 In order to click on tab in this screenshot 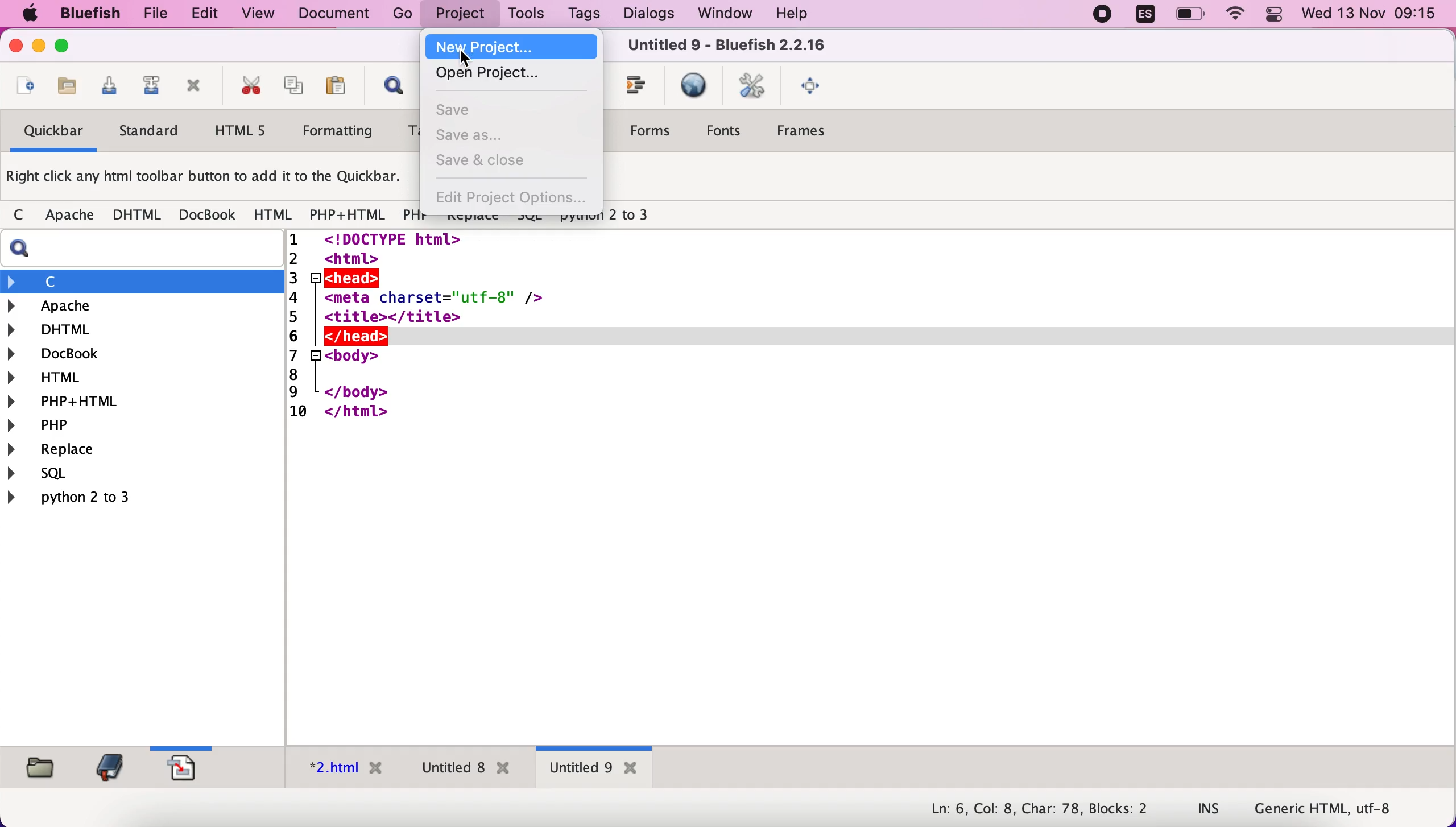, I will do `click(339, 771)`.